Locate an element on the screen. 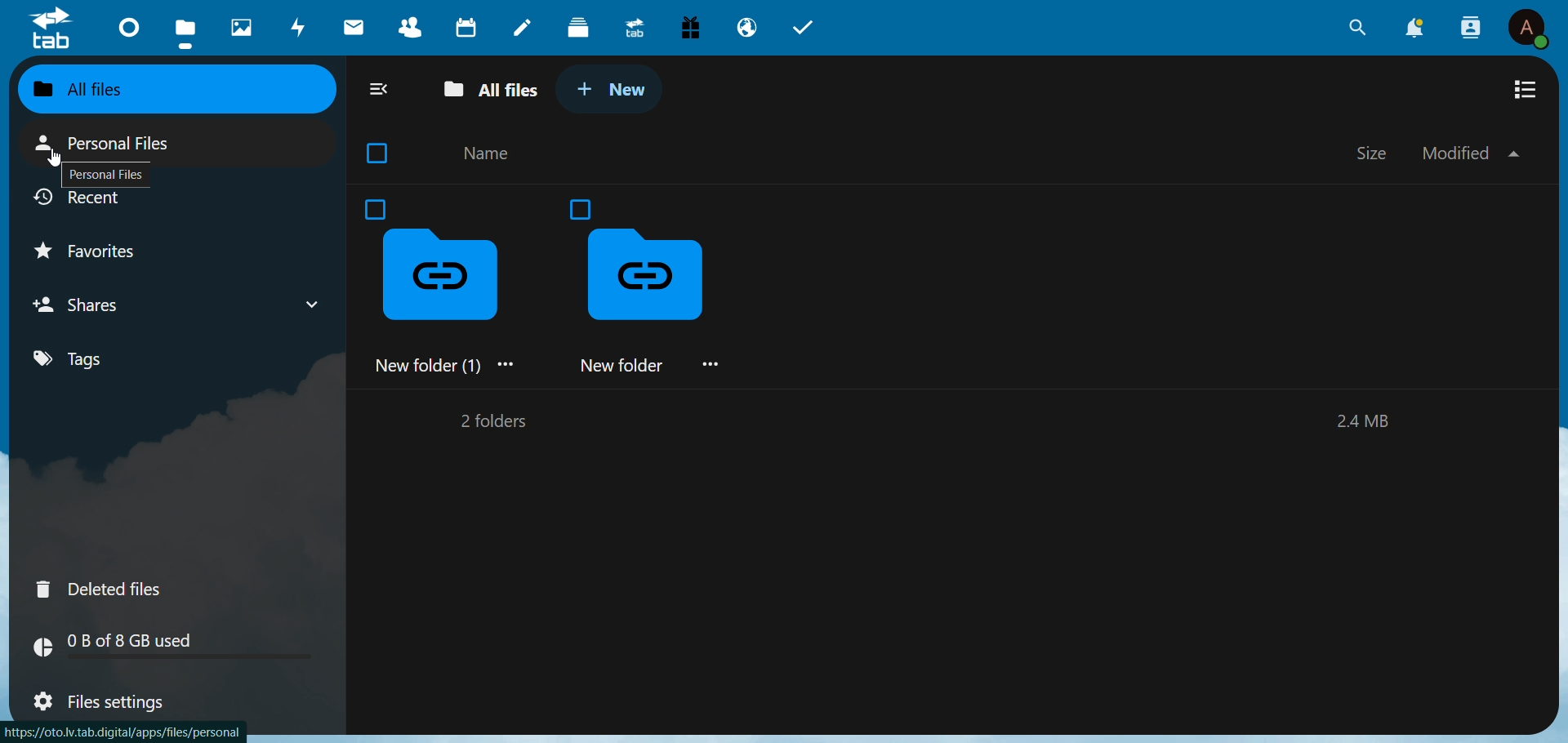  free trial is located at coordinates (692, 26).